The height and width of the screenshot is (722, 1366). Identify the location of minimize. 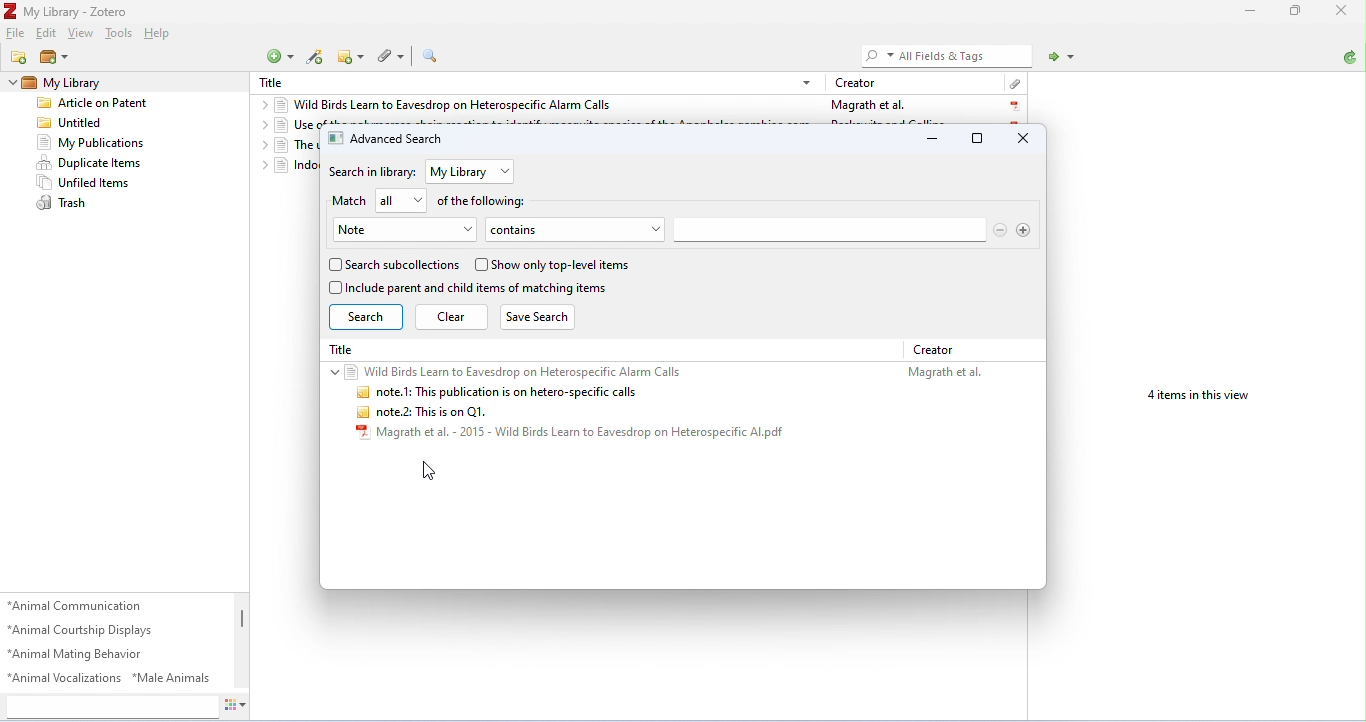
(935, 139).